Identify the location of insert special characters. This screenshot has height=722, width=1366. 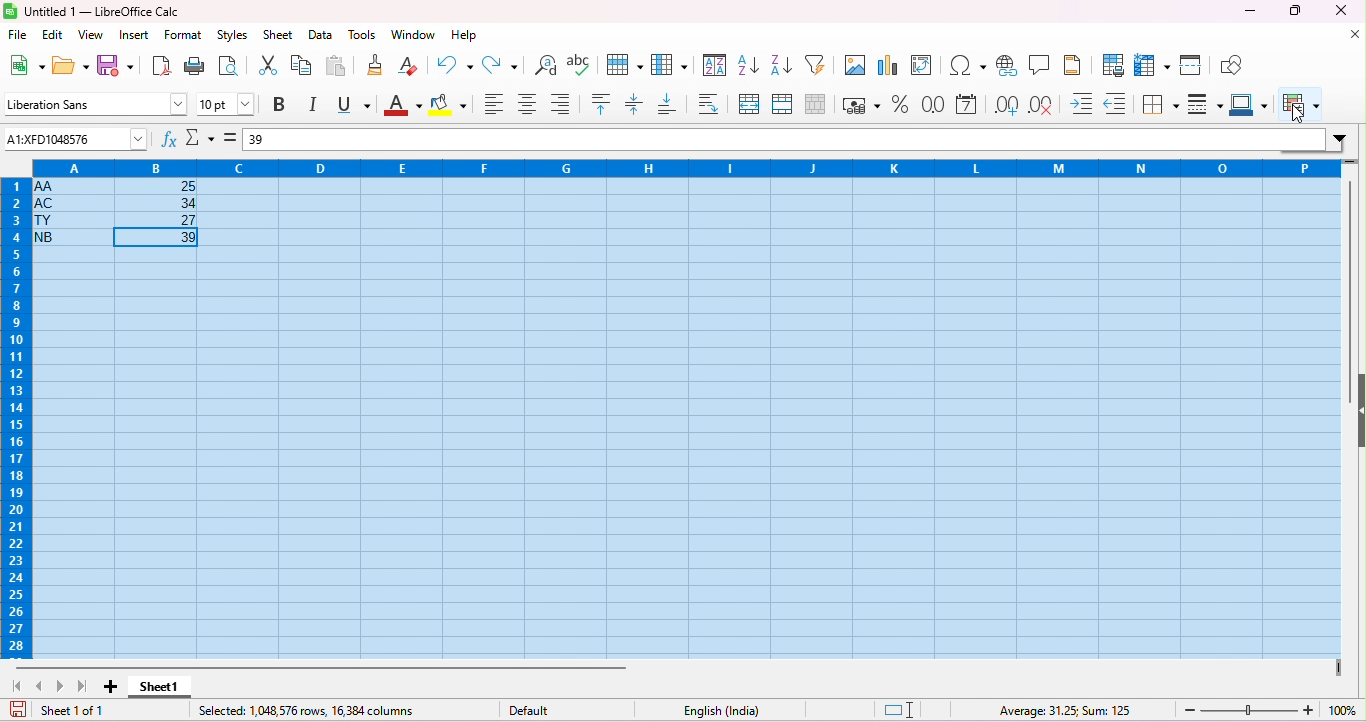
(968, 66).